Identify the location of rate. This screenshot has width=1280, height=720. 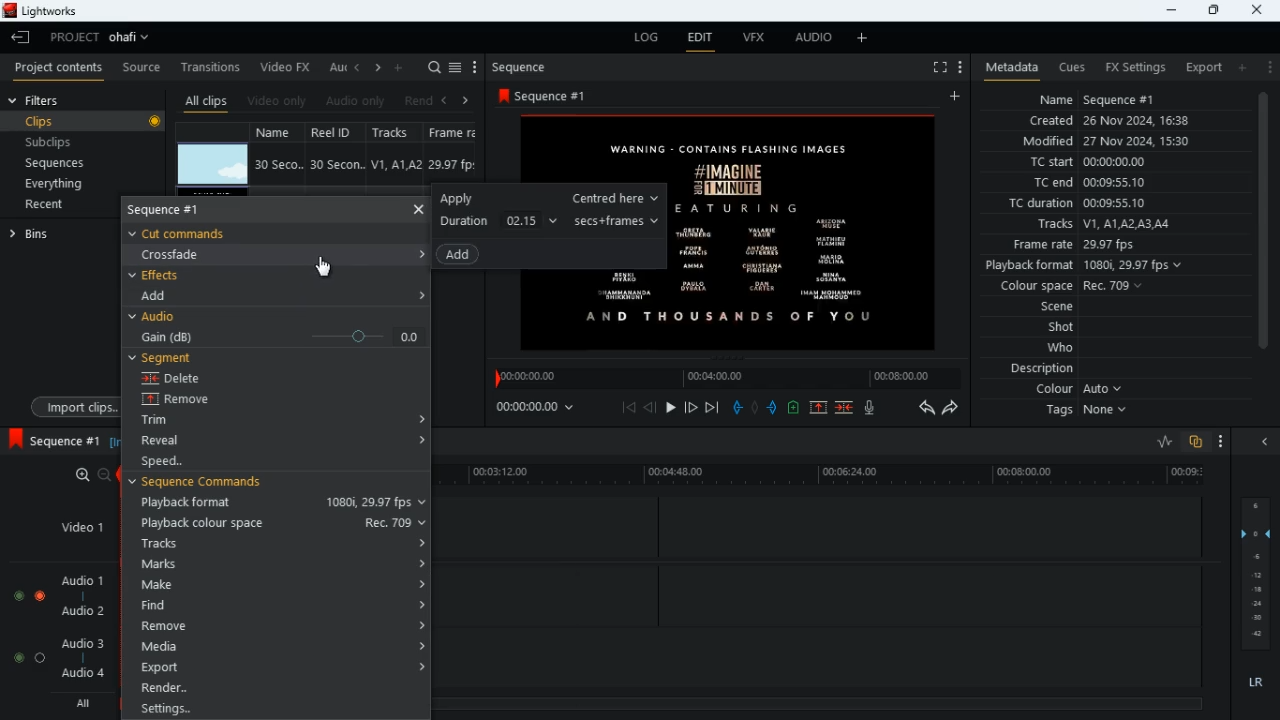
(1158, 442).